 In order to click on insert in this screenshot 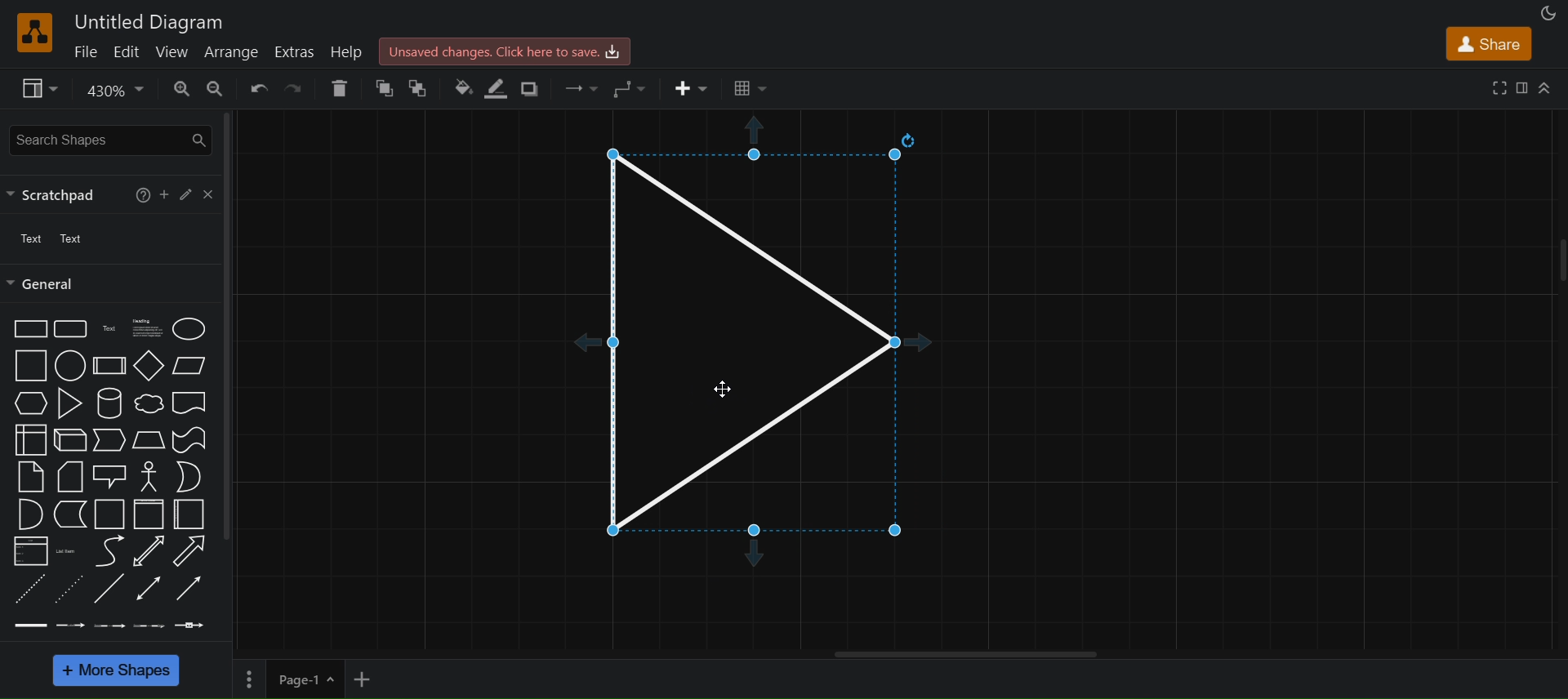, I will do `click(692, 88)`.